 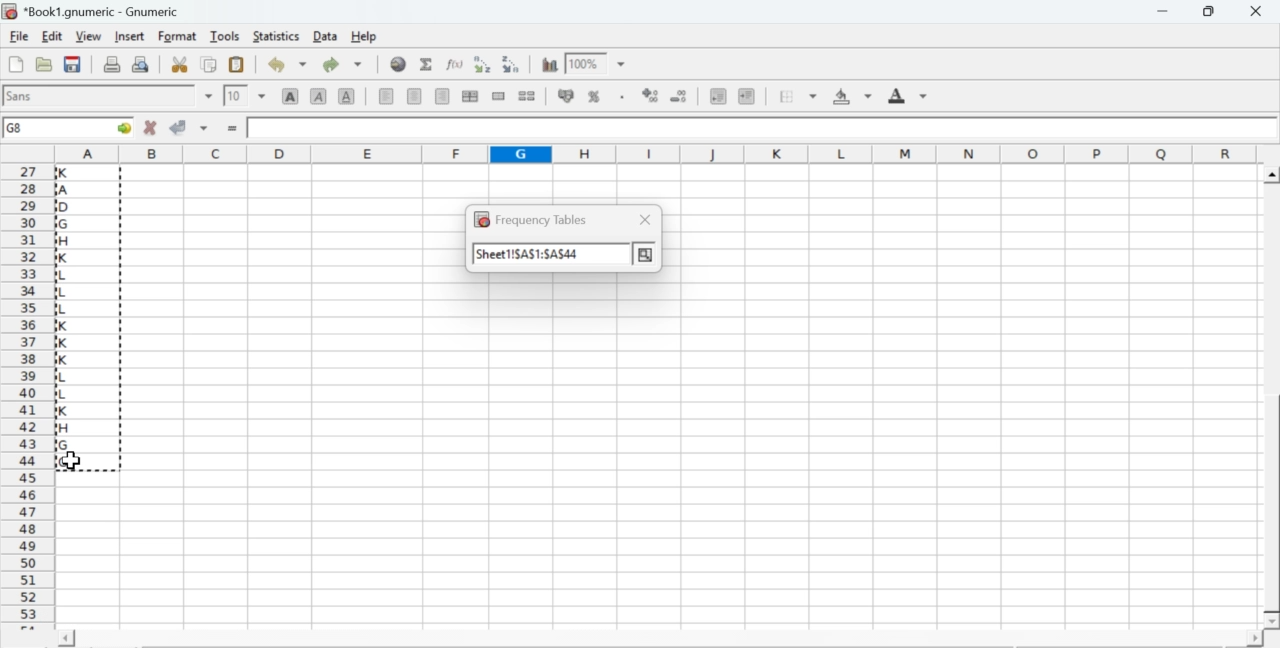 What do you see at coordinates (470, 96) in the screenshot?
I see `center horizontally` at bounding box center [470, 96].